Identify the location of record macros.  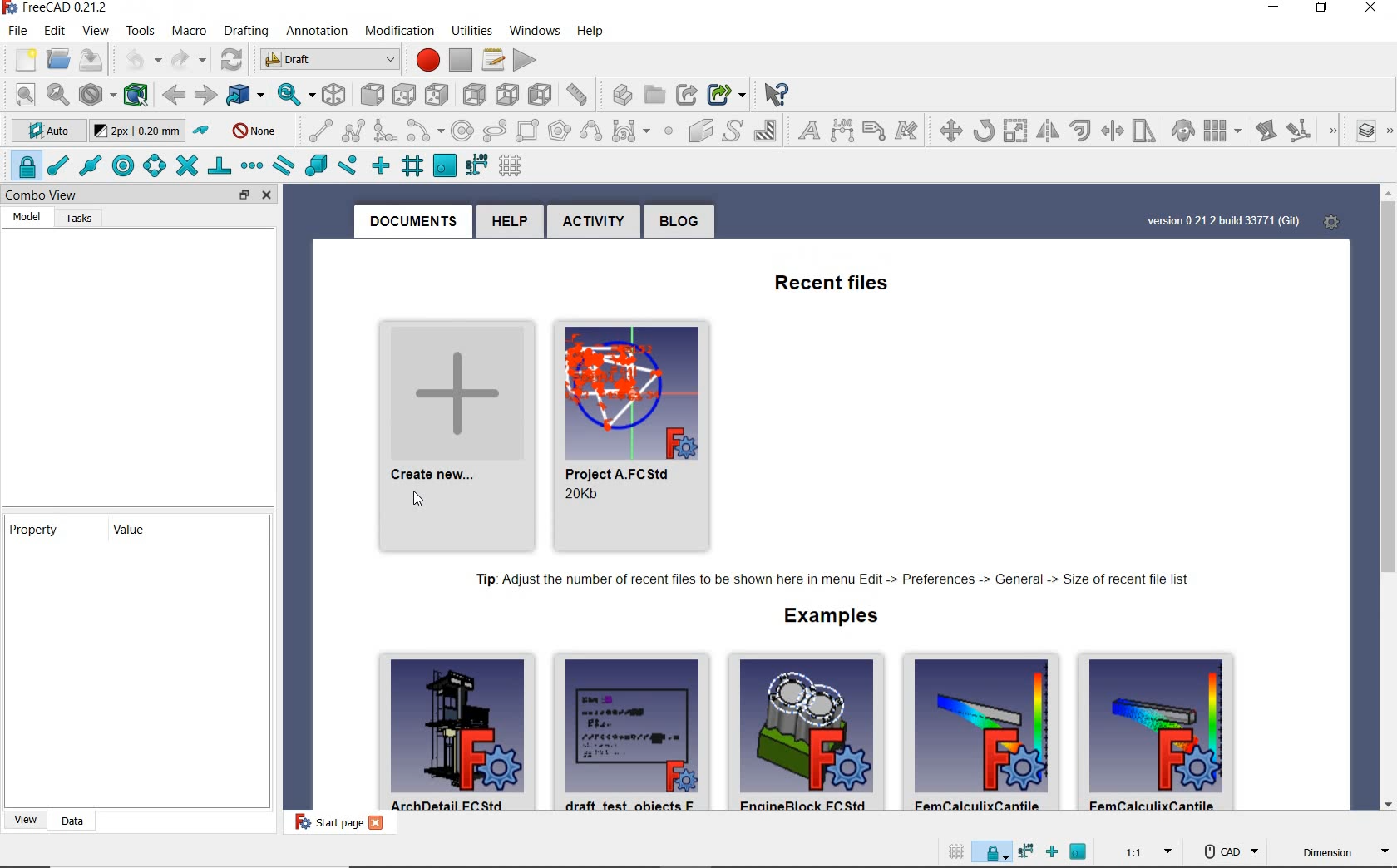
(427, 56).